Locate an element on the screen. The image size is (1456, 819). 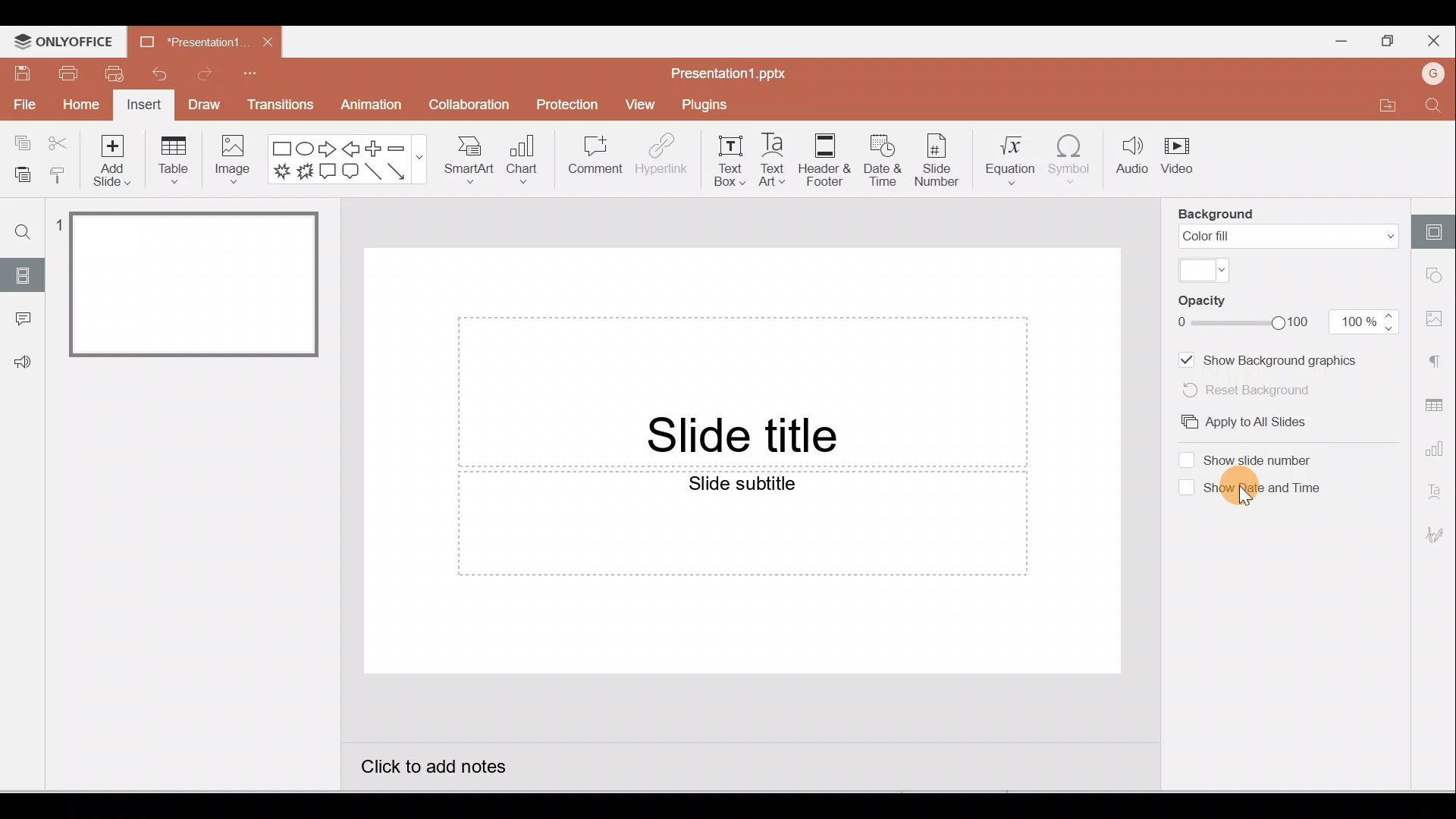
Rectangular callout is located at coordinates (328, 174).